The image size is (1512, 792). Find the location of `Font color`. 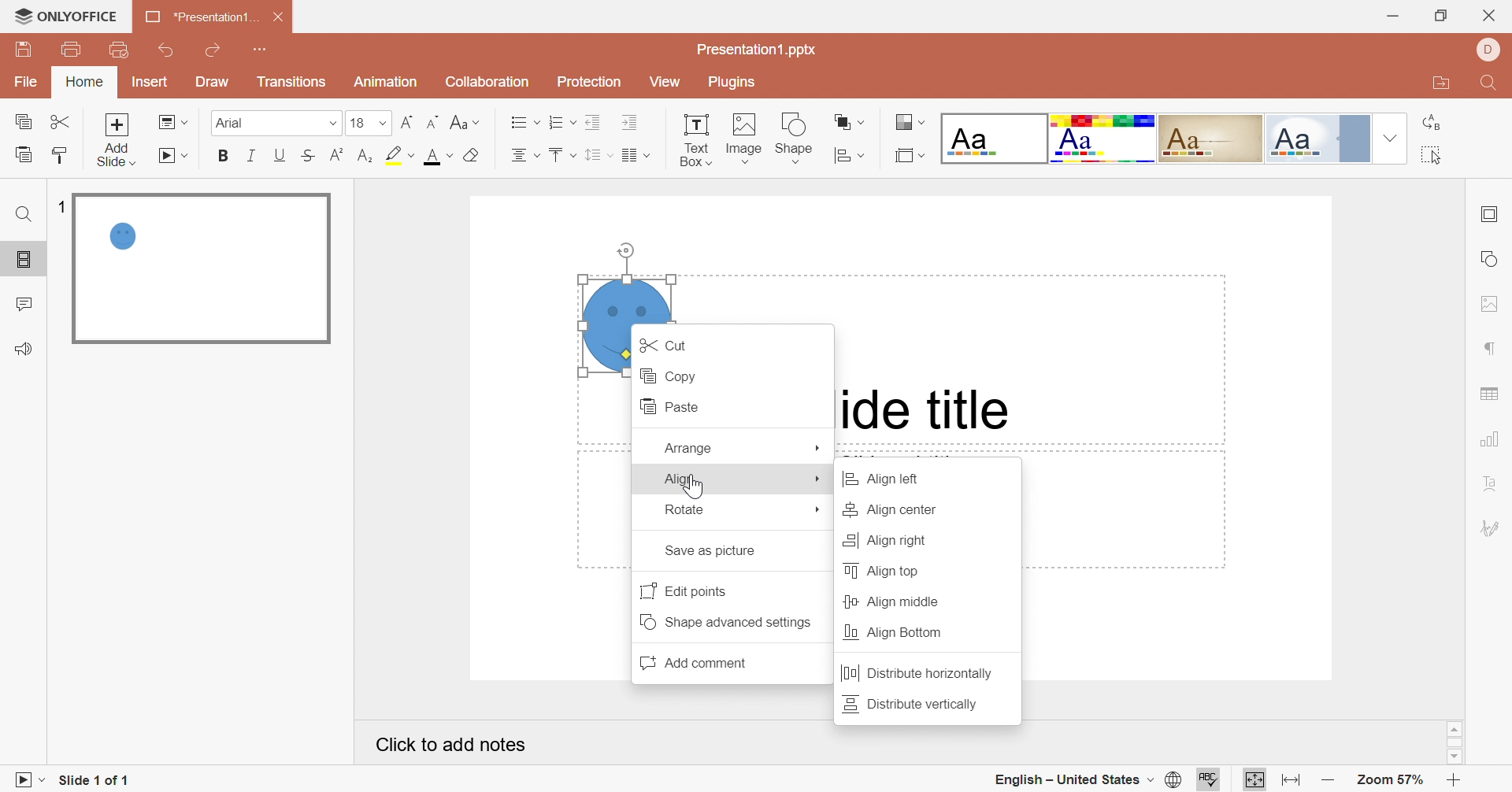

Font color is located at coordinates (437, 156).